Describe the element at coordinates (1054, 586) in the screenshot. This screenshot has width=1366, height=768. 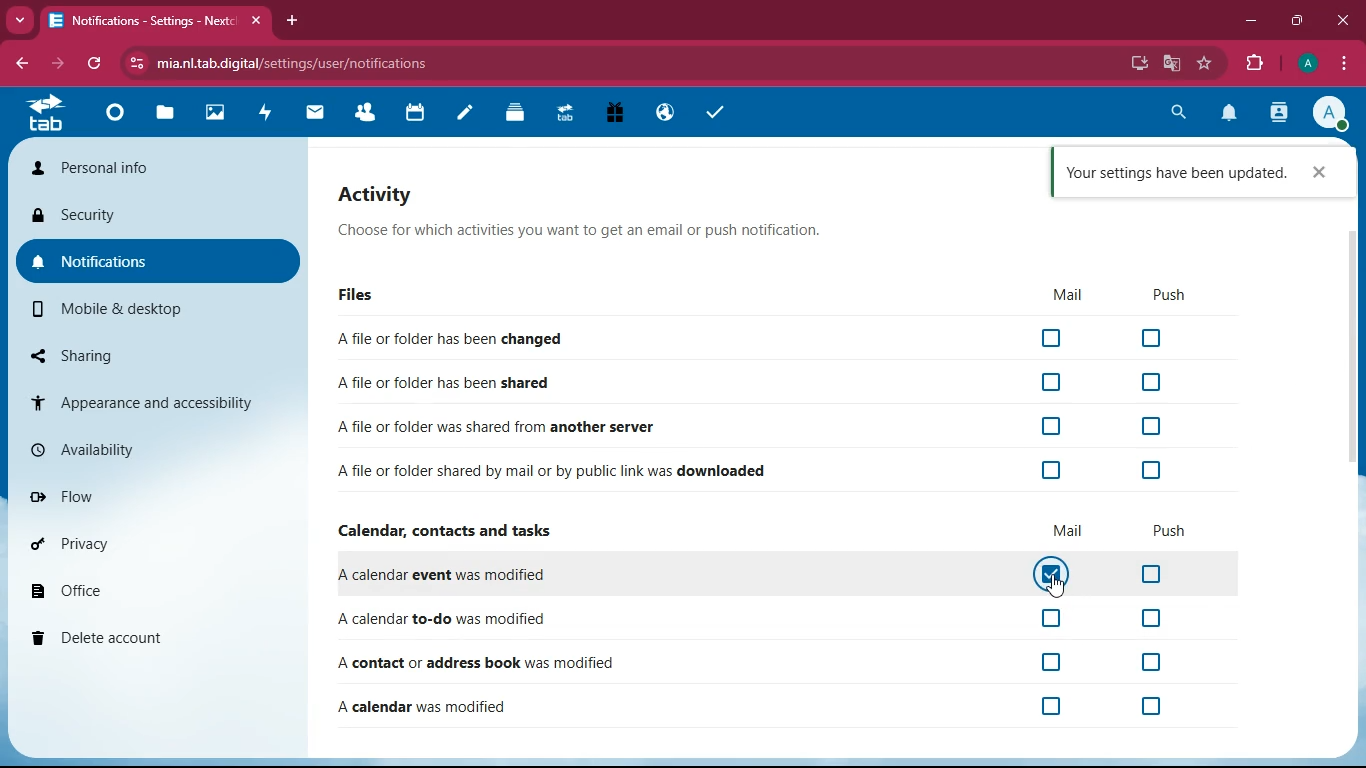
I see `cursor` at that location.